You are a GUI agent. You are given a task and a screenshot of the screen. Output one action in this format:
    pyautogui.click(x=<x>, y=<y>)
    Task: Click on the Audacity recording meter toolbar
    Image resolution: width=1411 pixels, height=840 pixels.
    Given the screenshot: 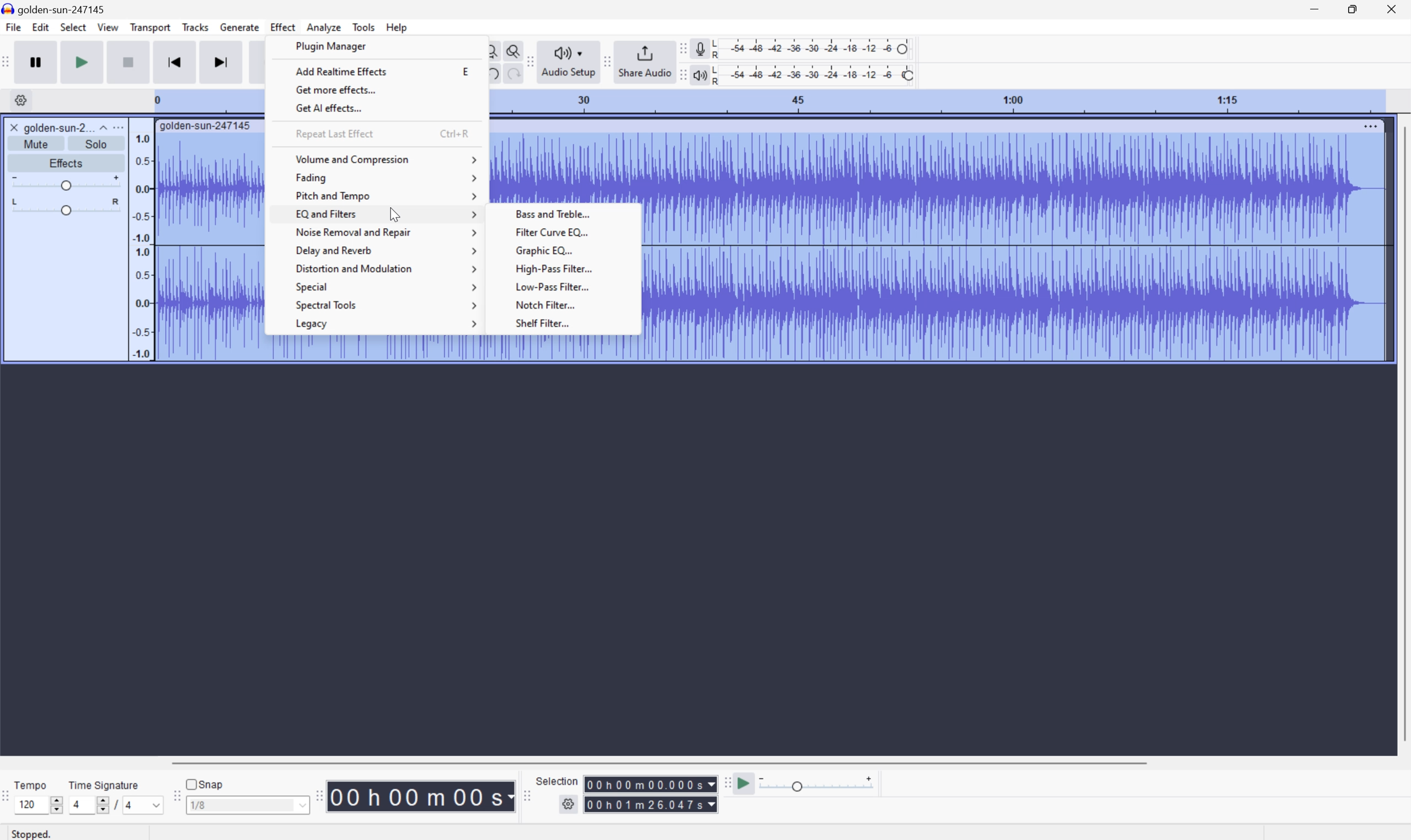 What is the action you would take?
    pyautogui.click(x=680, y=49)
    